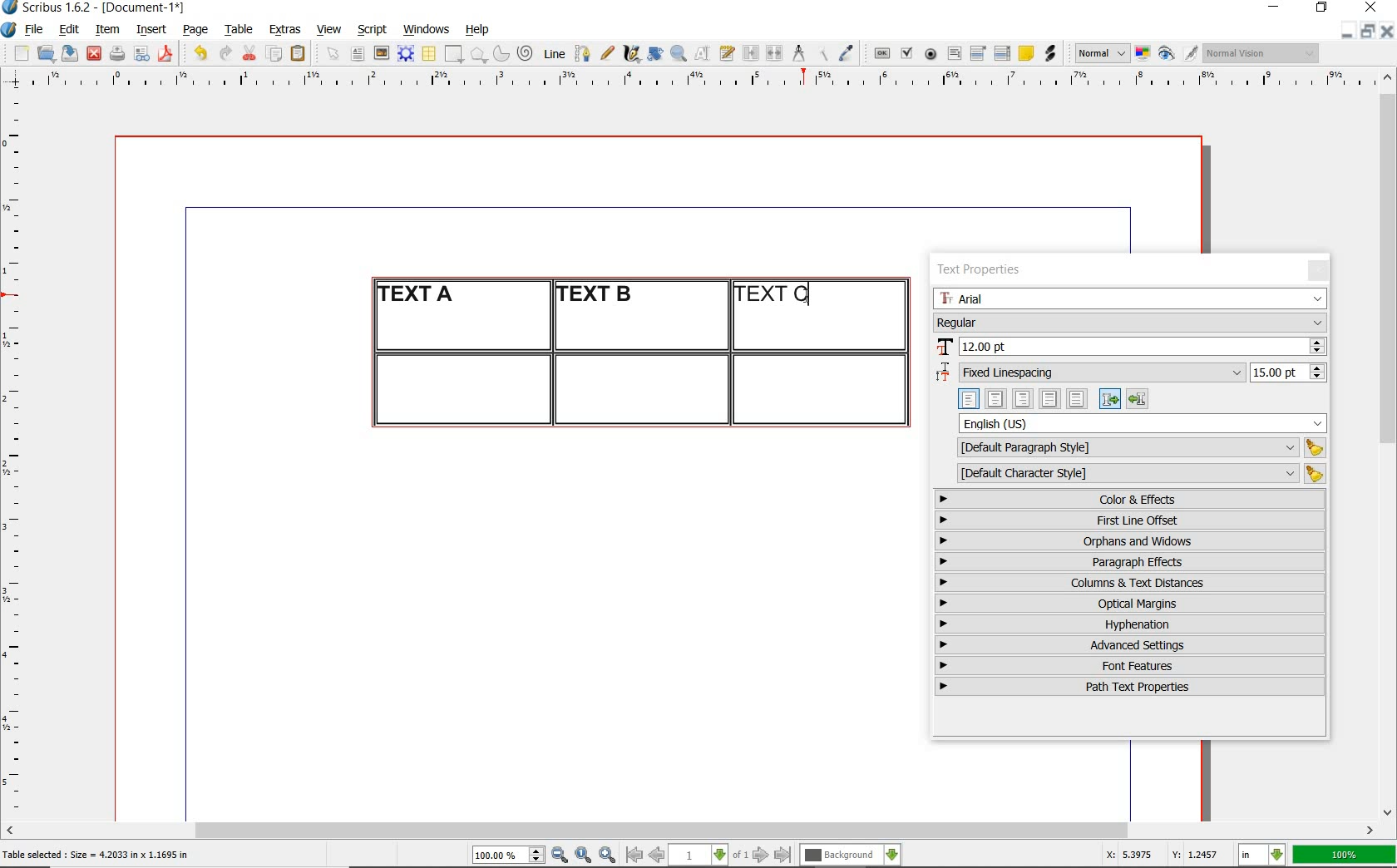 The height and width of the screenshot is (868, 1397). I want to click on page, so click(195, 29).